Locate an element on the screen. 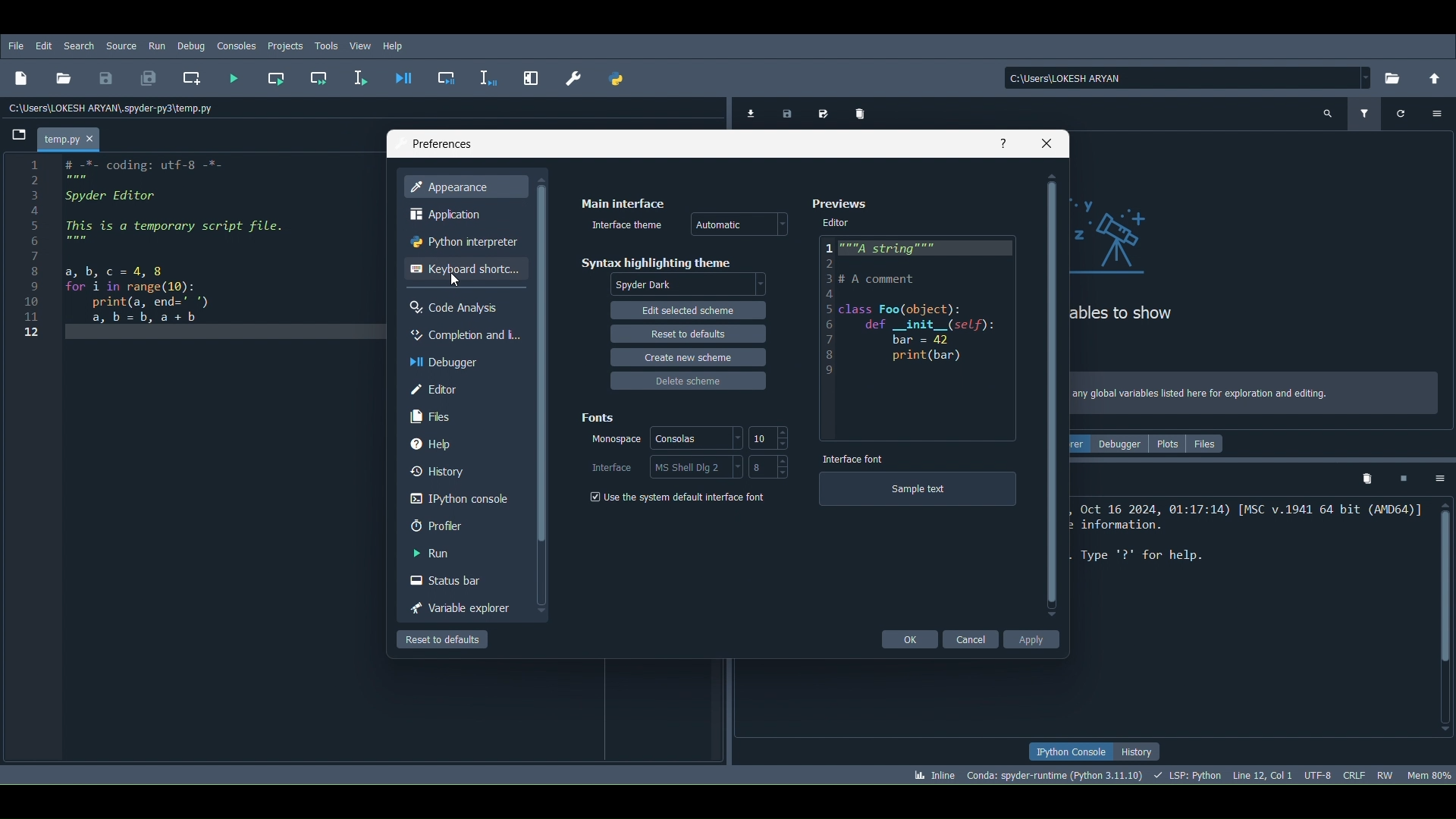  Run file (F5) is located at coordinates (234, 77).